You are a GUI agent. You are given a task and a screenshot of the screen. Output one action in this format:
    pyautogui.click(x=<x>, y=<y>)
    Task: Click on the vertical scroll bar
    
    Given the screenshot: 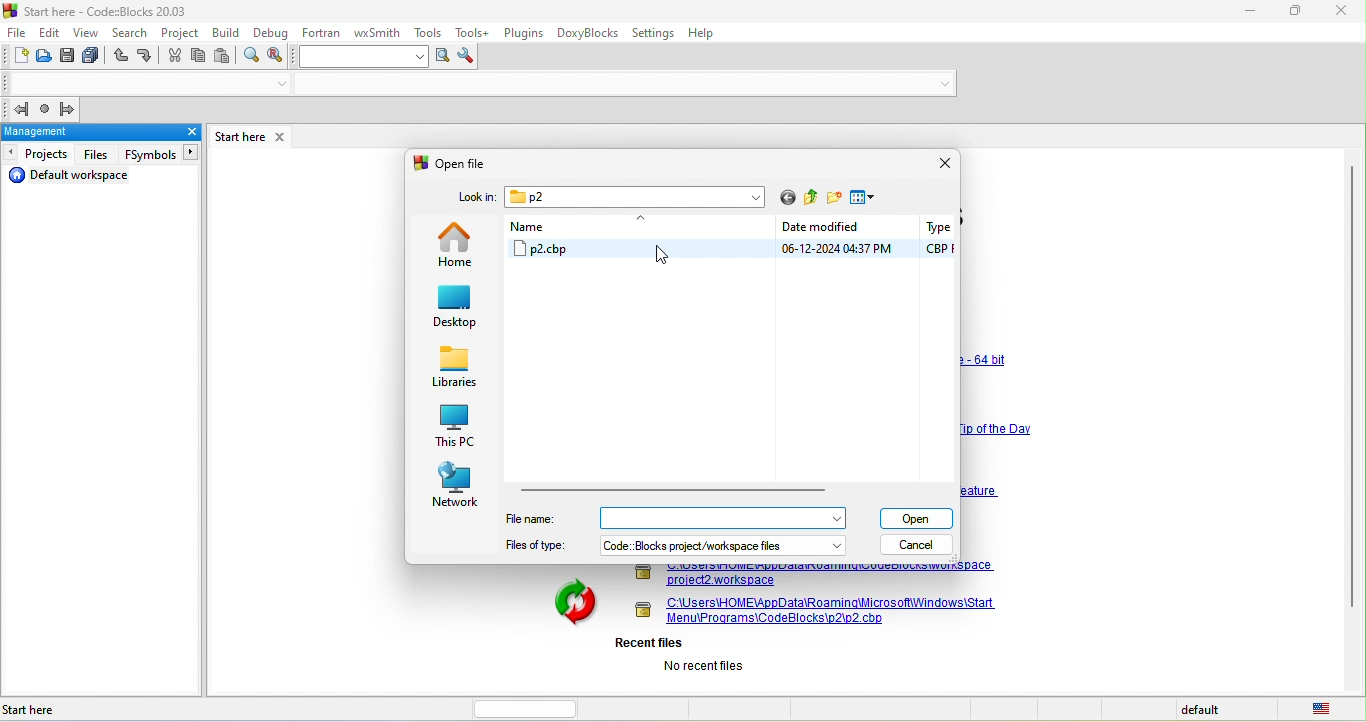 What is the action you would take?
    pyautogui.click(x=1352, y=386)
    